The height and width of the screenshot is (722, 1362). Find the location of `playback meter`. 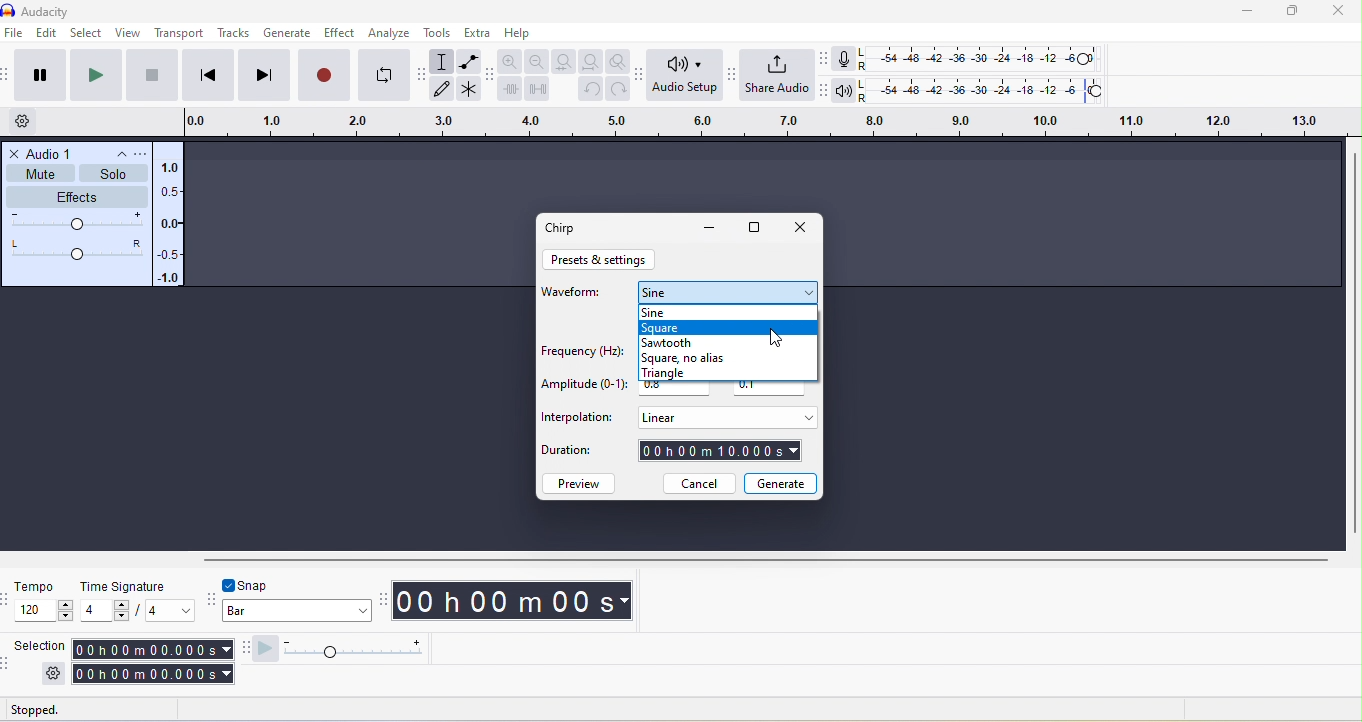

playback meter is located at coordinates (847, 91).